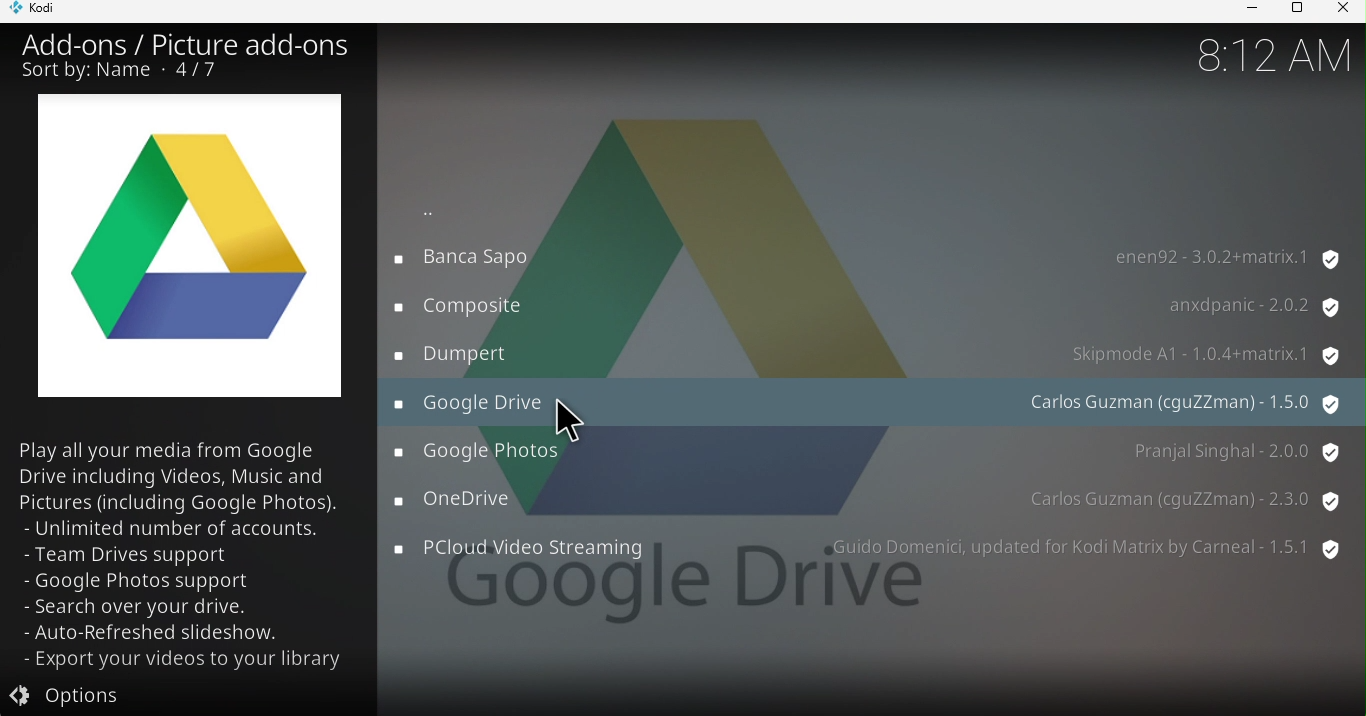  Describe the element at coordinates (874, 400) in the screenshot. I see `Google drive` at that location.